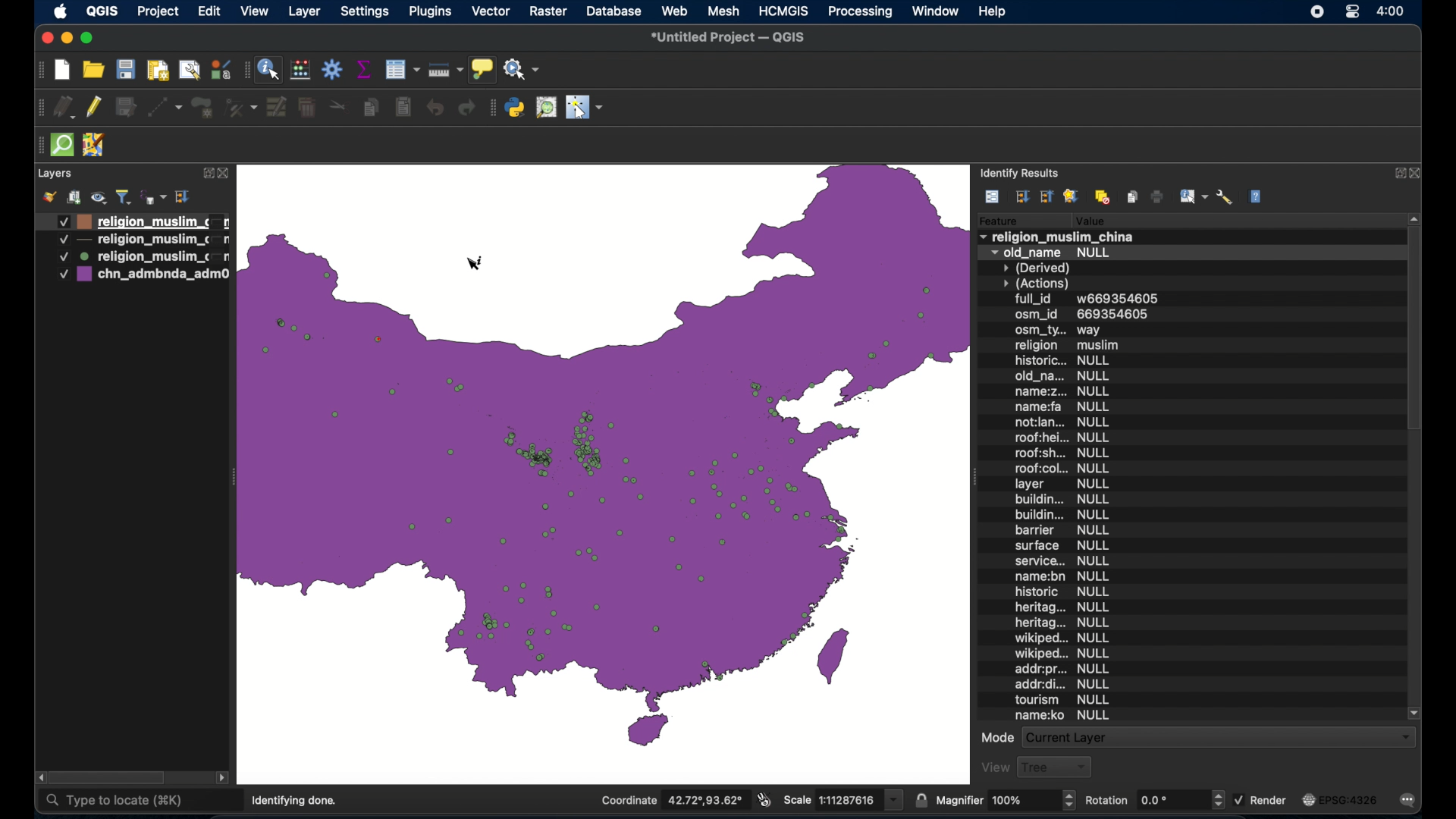  I want to click on open project, so click(93, 69).